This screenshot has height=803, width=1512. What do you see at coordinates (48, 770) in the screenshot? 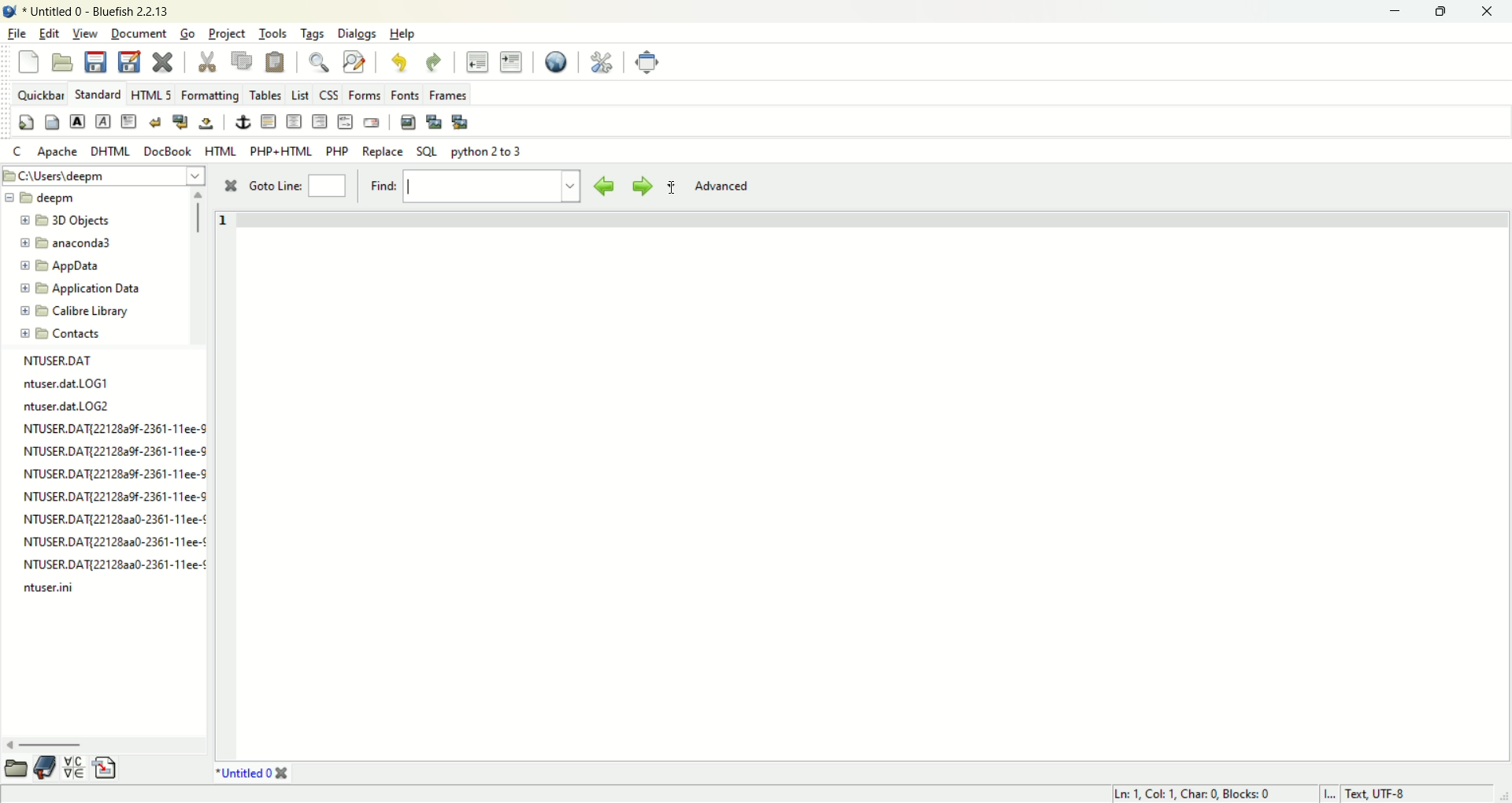
I see `bookmark` at bounding box center [48, 770].